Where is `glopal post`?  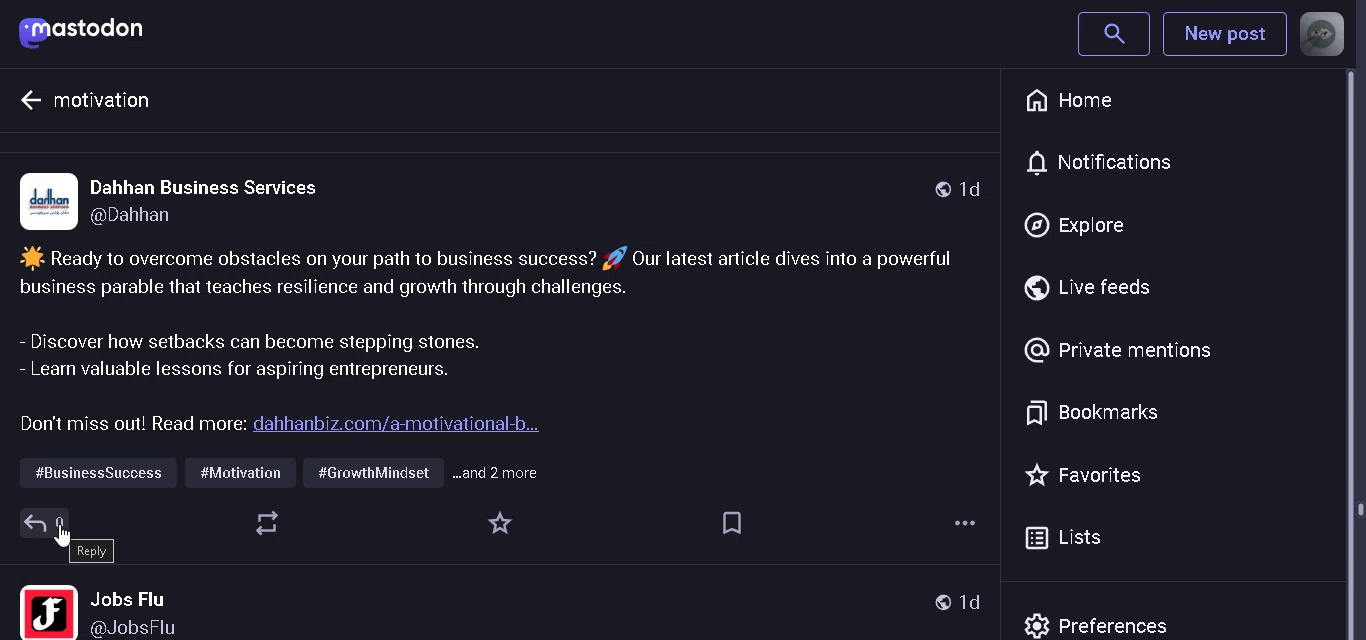
glopal post is located at coordinates (938, 187).